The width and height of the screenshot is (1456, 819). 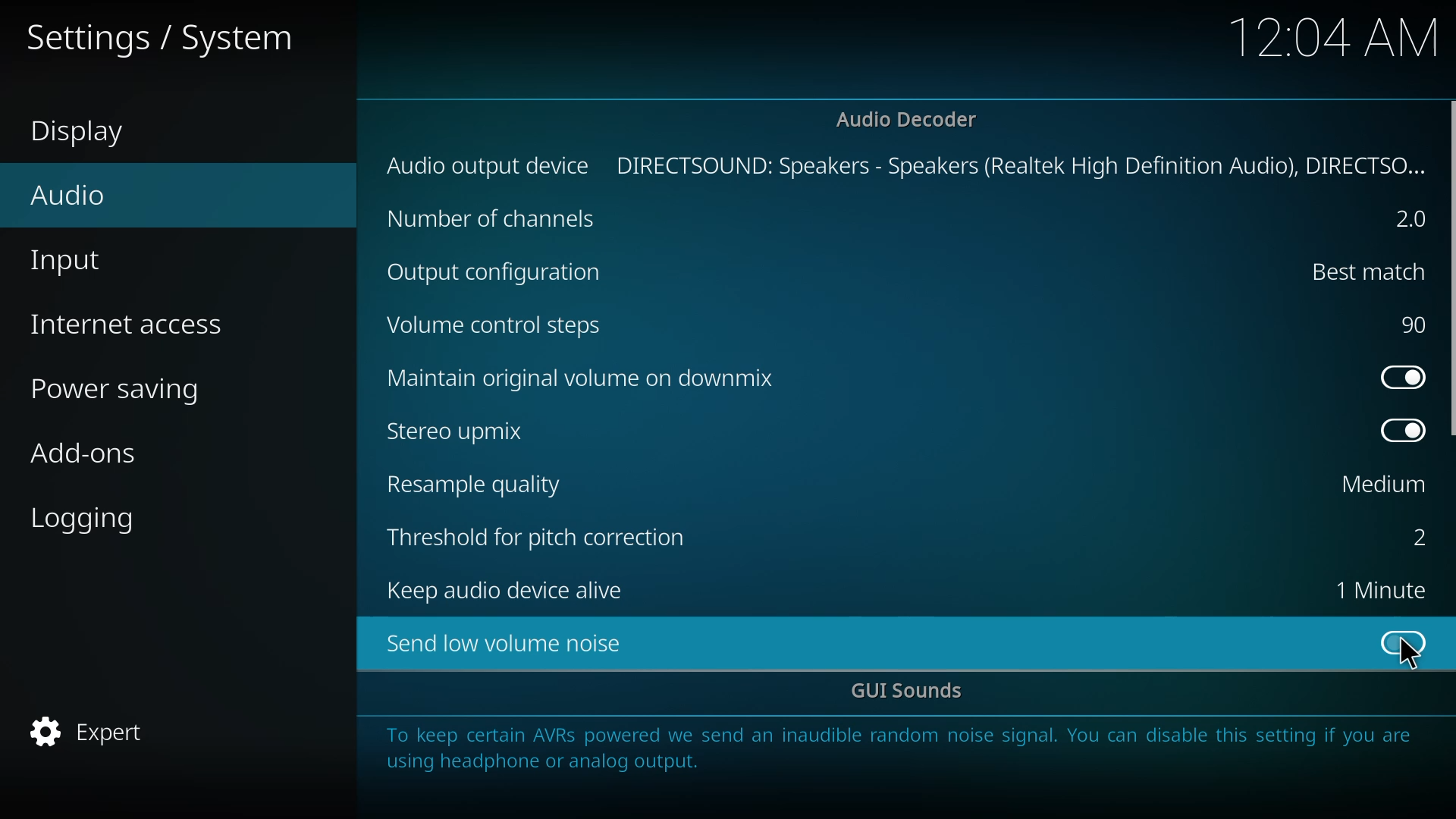 I want to click on cursor, so click(x=1408, y=654).